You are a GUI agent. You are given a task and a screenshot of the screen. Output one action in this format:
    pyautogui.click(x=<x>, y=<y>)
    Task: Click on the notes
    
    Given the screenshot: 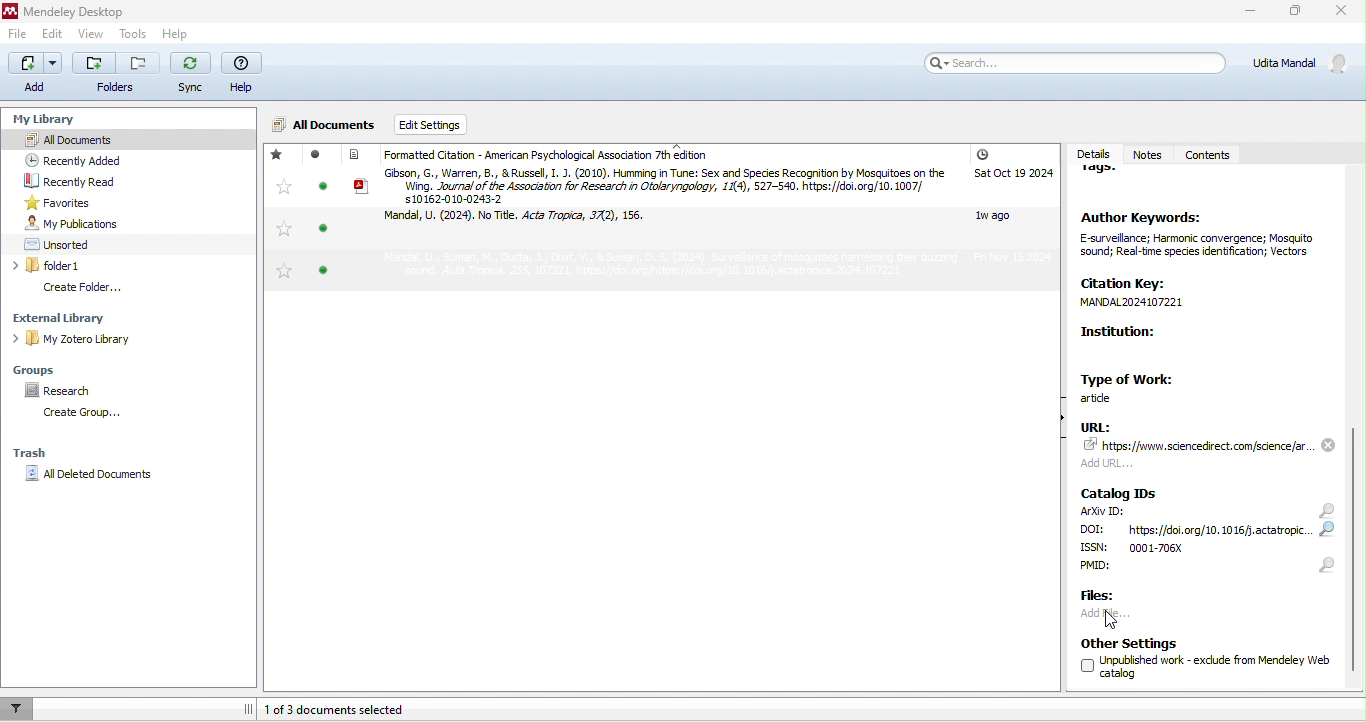 What is the action you would take?
    pyautogui.click(x=1147, y=147)
    